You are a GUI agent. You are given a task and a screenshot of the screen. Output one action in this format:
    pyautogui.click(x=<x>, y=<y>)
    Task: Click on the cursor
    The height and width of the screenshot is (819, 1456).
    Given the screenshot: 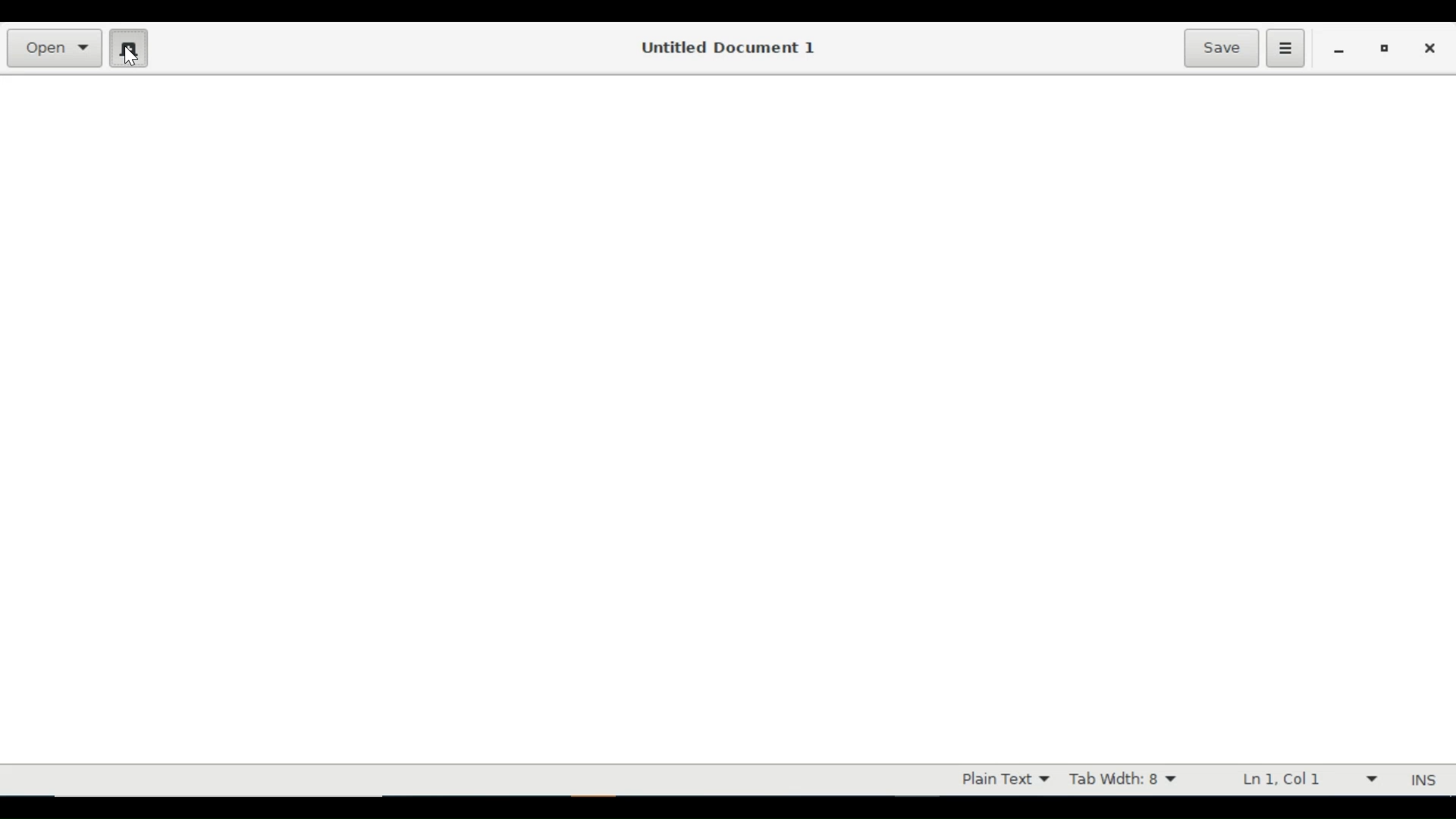 What is the action you would take?
    pyautogui.click(x=138, y=61)
    